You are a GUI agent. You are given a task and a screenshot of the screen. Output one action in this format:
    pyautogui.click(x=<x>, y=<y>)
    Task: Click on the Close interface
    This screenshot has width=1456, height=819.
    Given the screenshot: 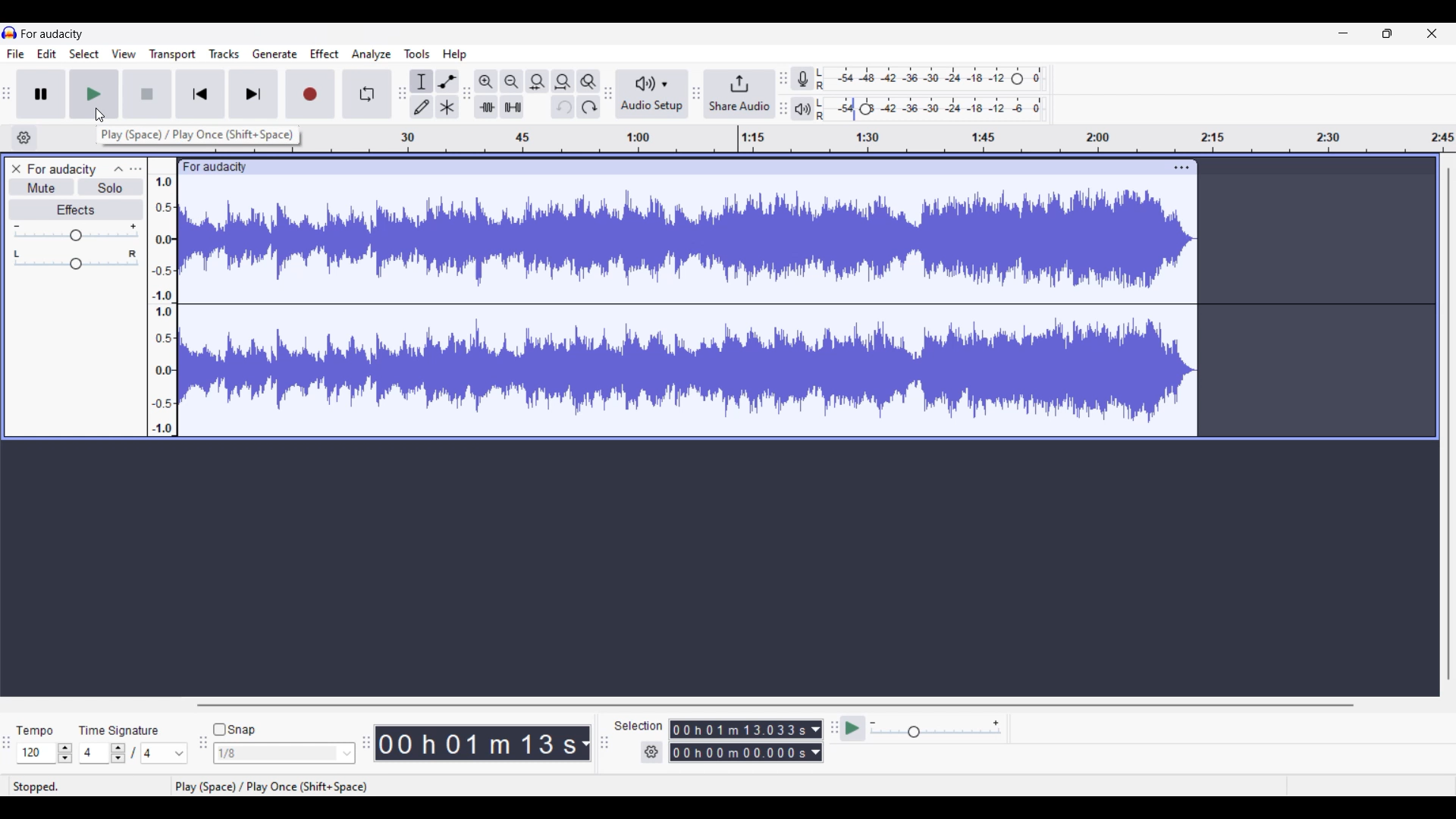 What is the action you would take?
    pyautogui.click(x=1432, y=33)
    